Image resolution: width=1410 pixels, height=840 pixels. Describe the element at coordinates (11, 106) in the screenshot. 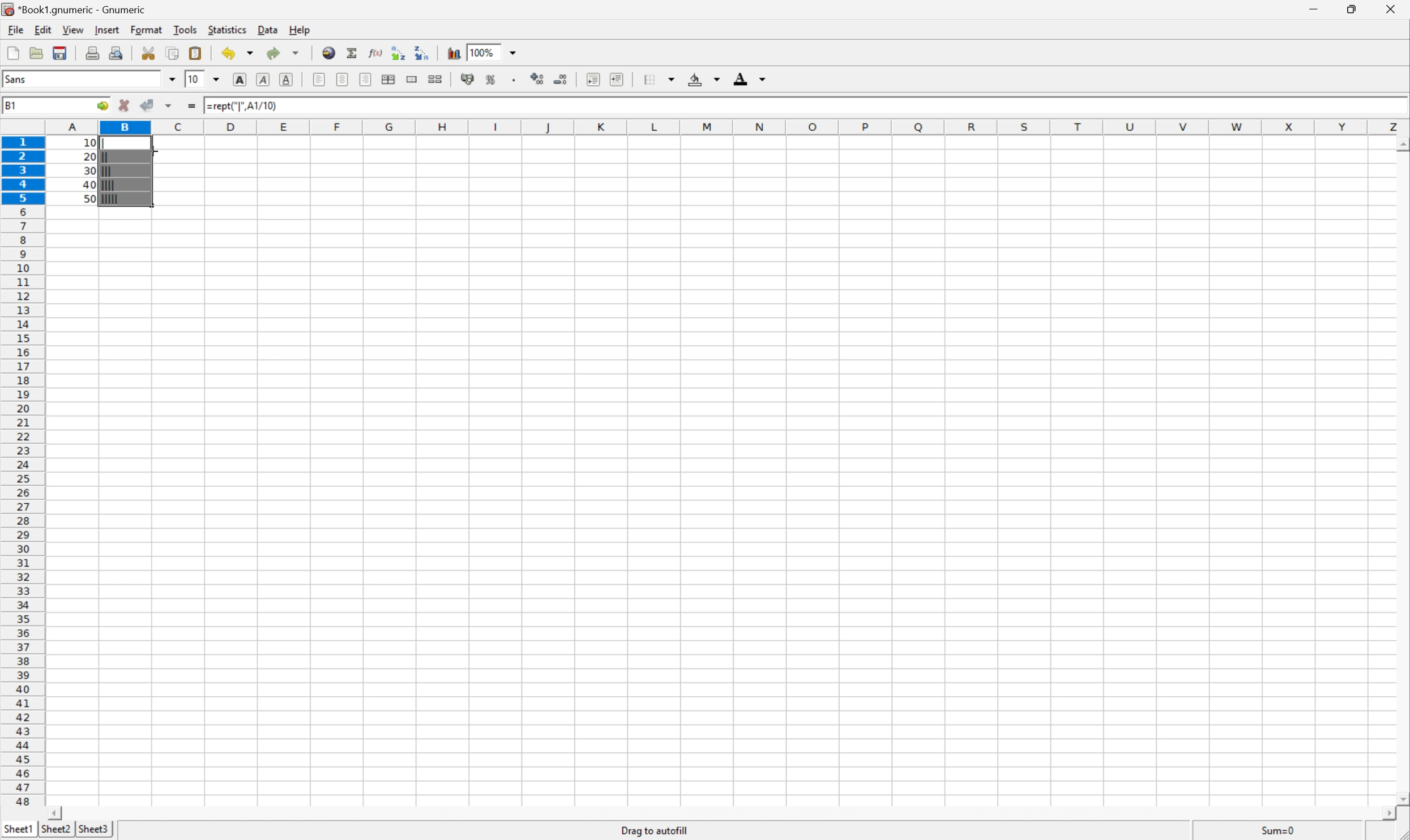

I see `B1` at that location.